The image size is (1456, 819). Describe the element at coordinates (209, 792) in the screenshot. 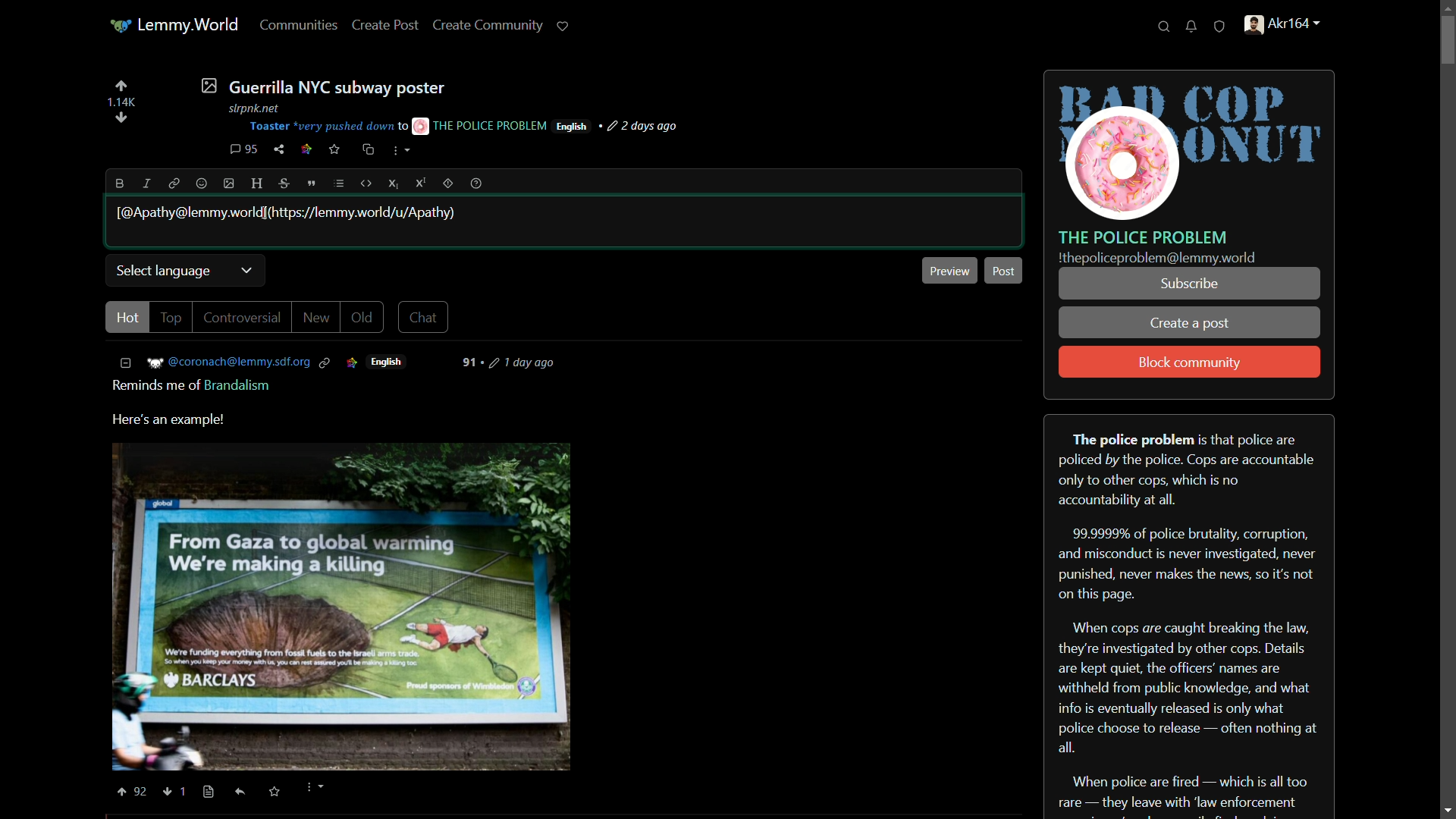

I see `` at that location.